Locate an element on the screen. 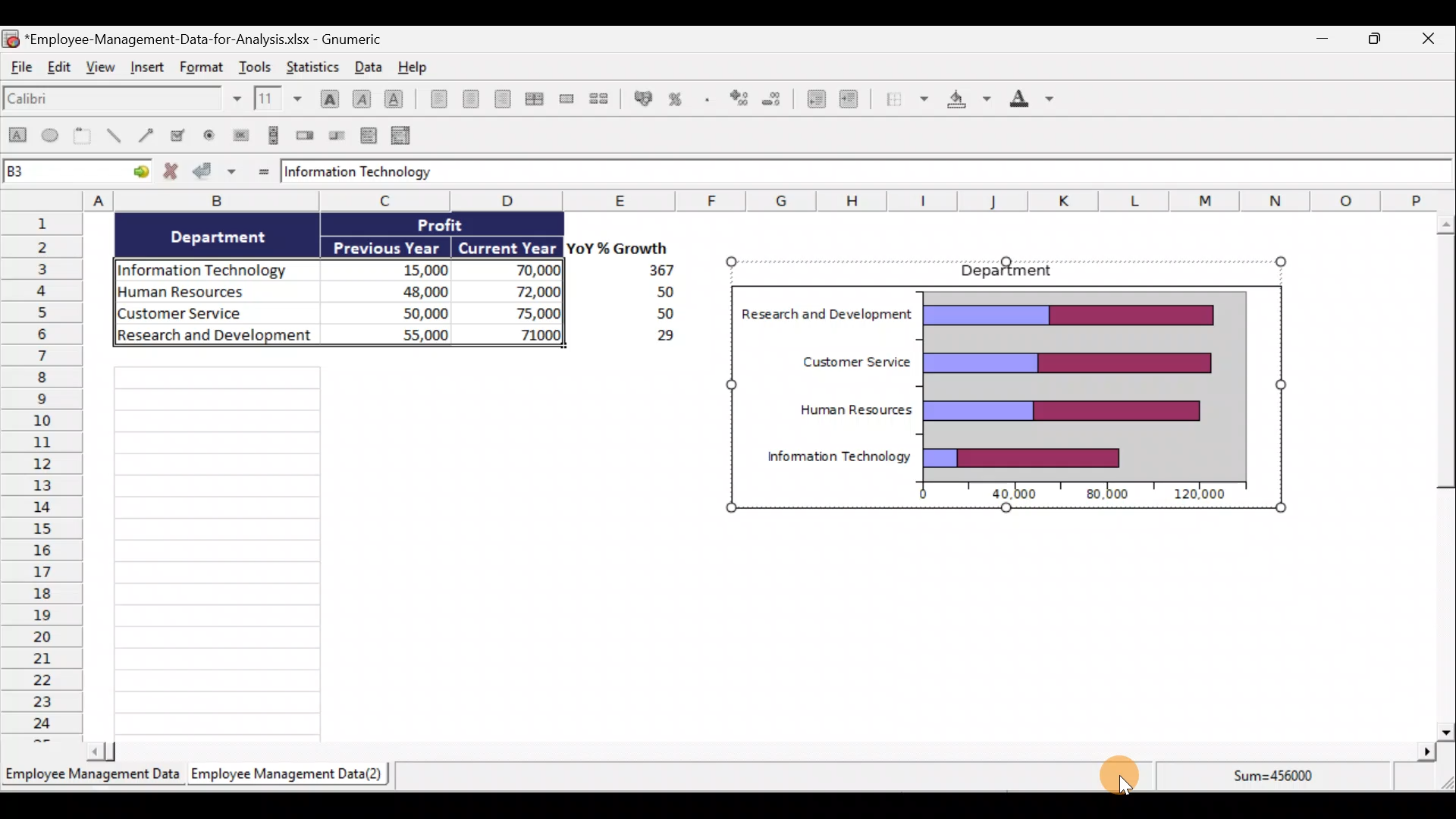  Create a checkbox is located at coordinates (184, 135).